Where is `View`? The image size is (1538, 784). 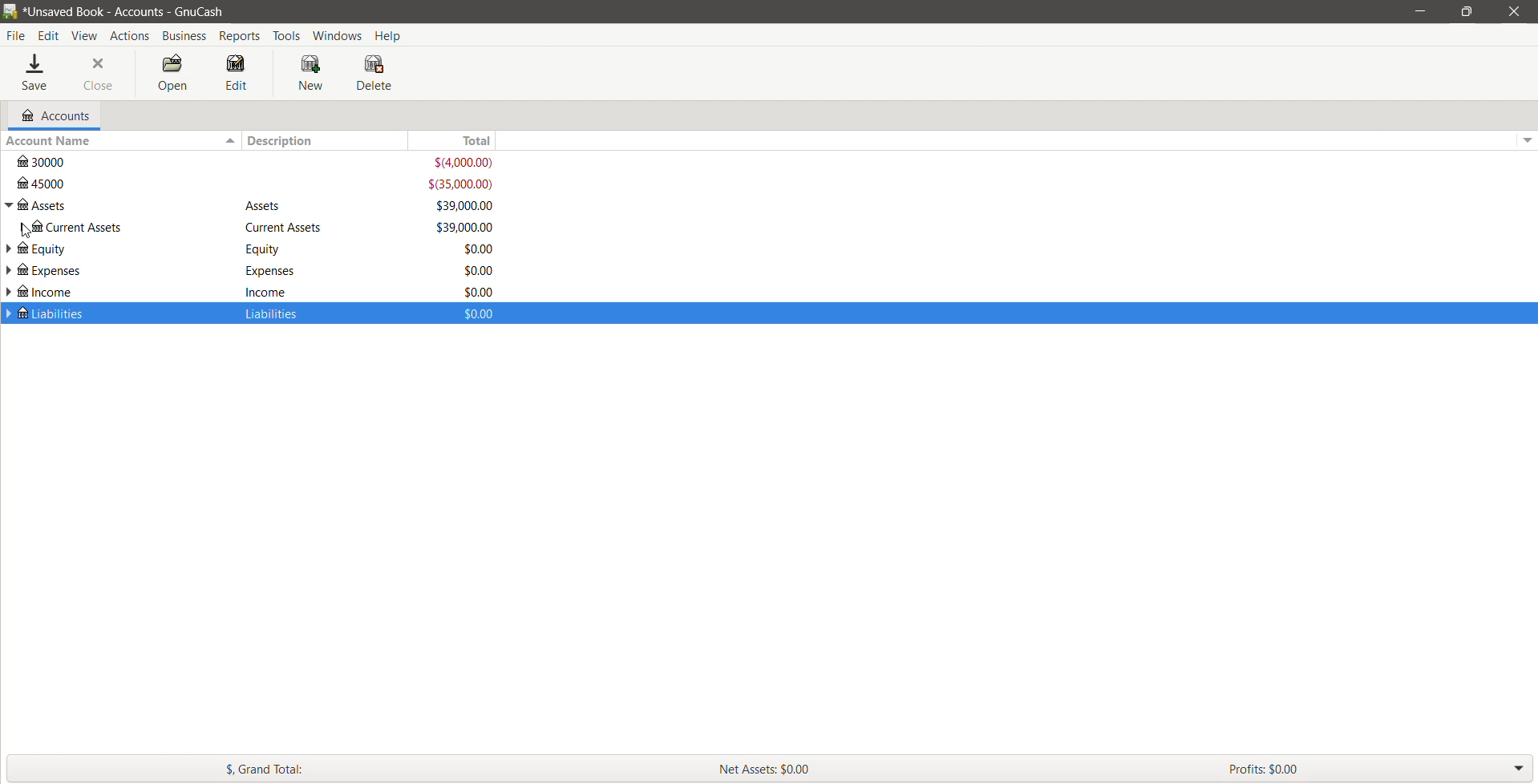 View is located at coordinates (85, 35).